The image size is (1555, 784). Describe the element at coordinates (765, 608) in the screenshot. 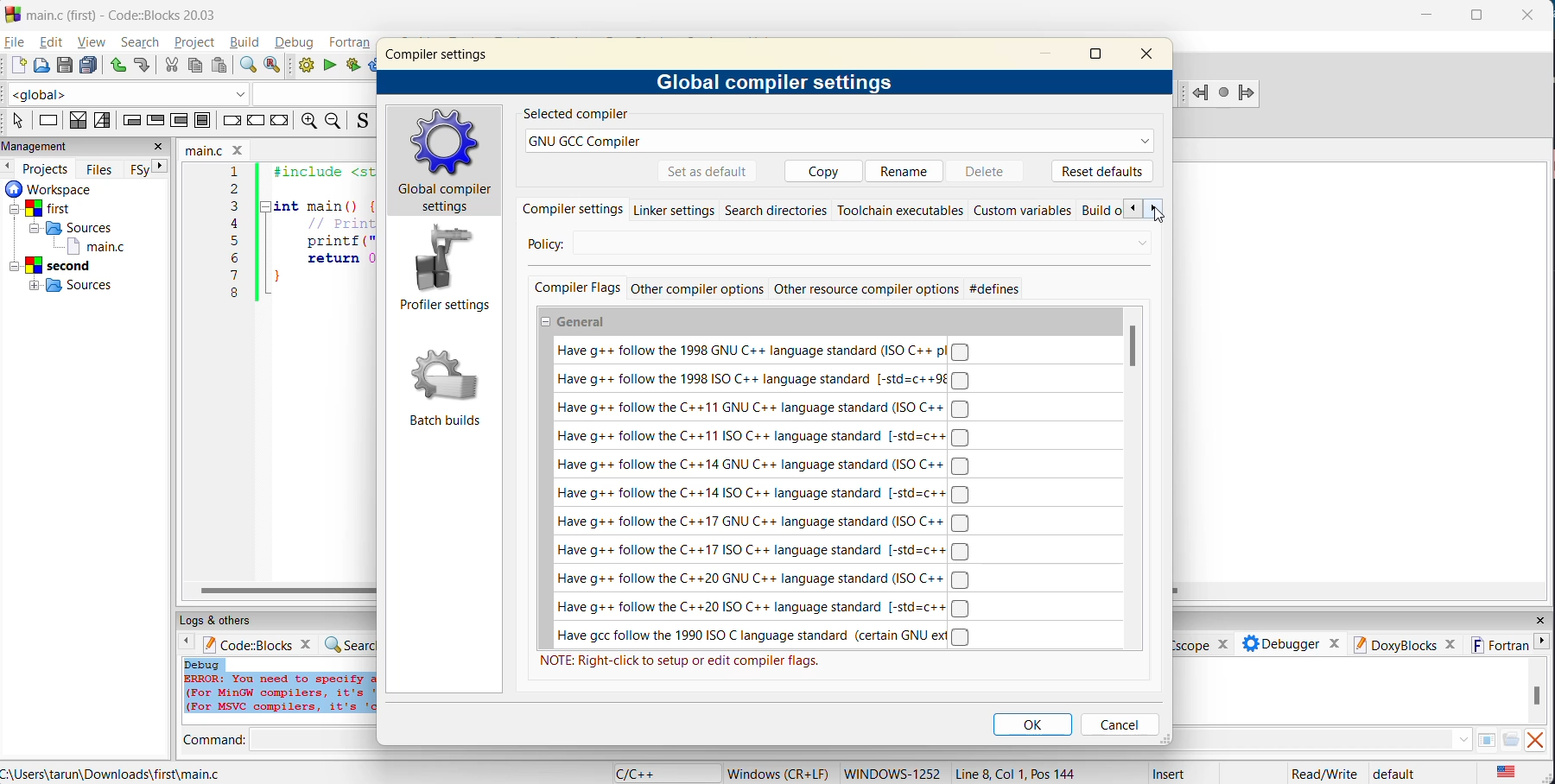

I see `Have g++ follow the C++20 ISO C++ language standard [-std=c++` at that location.